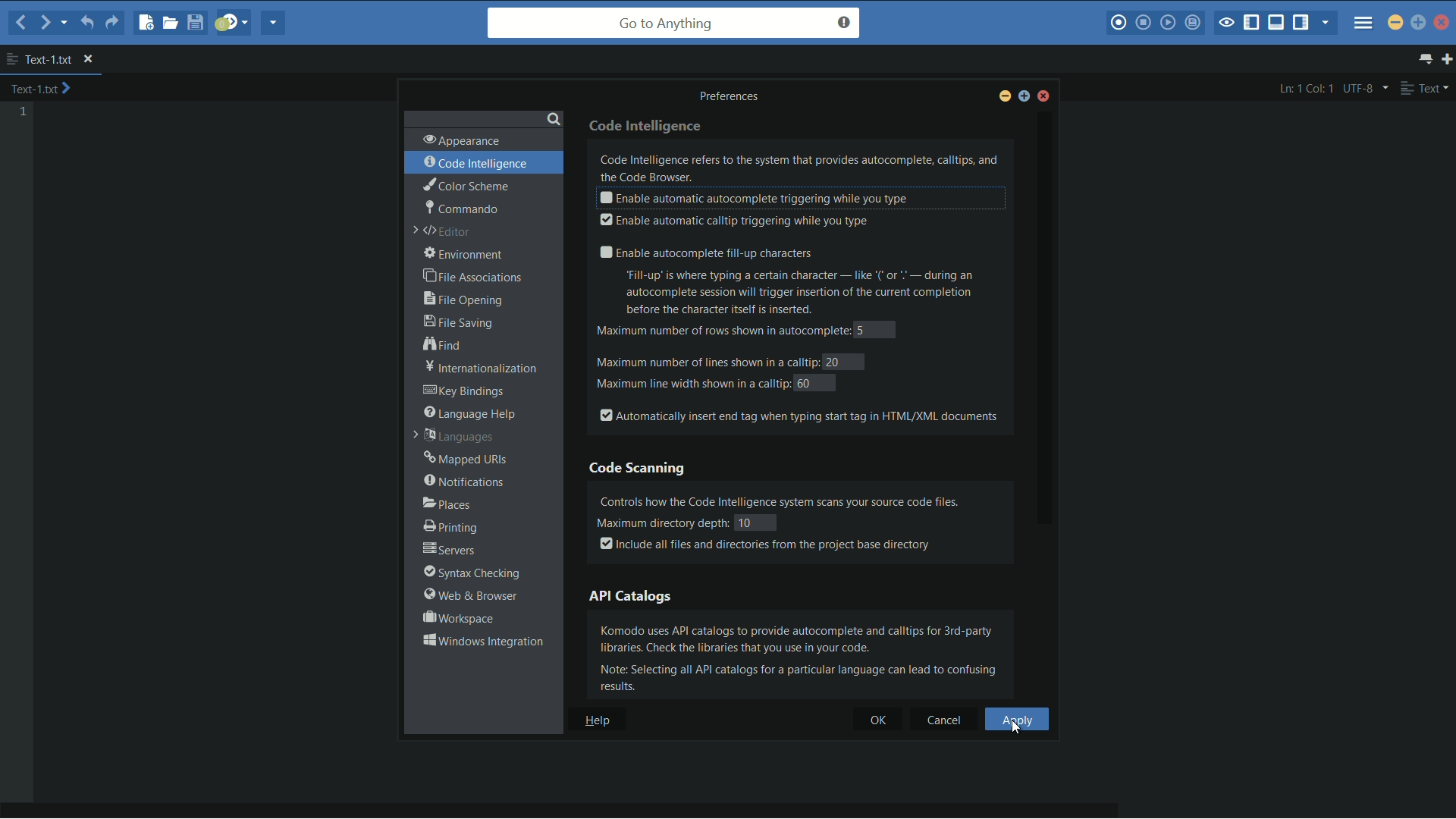 The image size is (1456, 819). What do you see at coordinates (834, 362) in the screenshot?
I see `20` at bounding box center [834, 362].